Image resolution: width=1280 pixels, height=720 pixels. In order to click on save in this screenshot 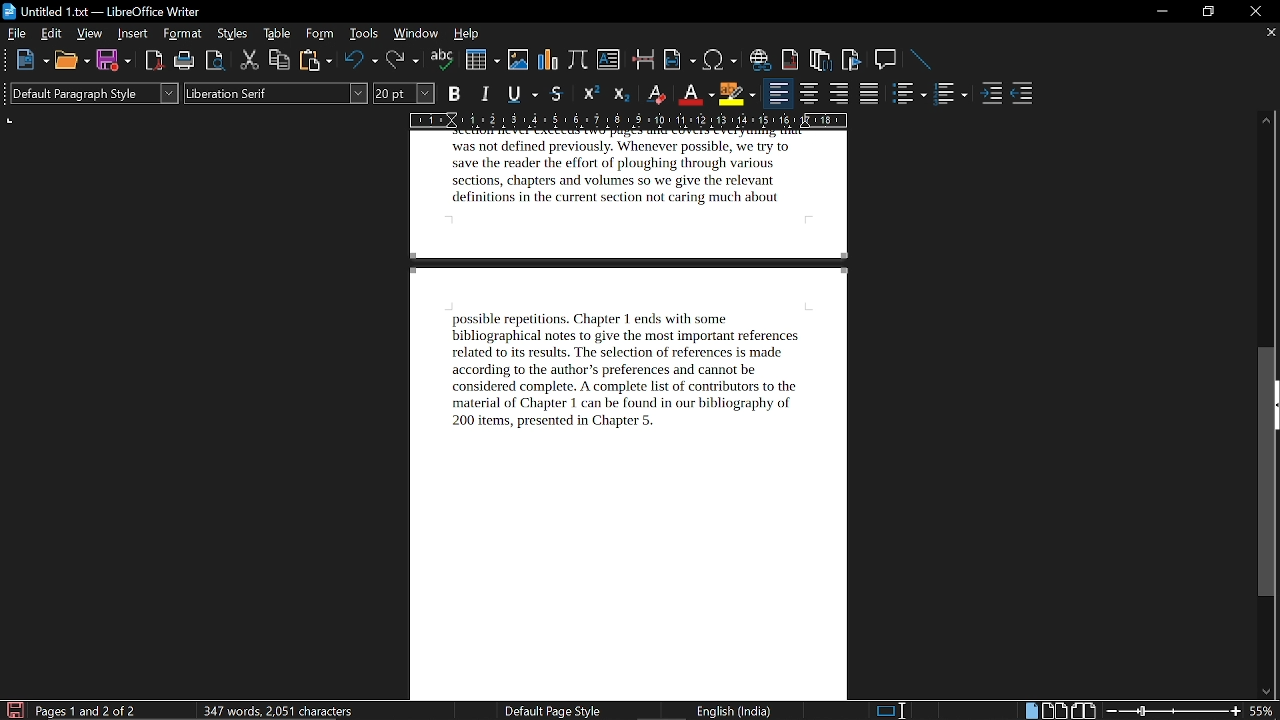, I will do `click(113, 59)`.